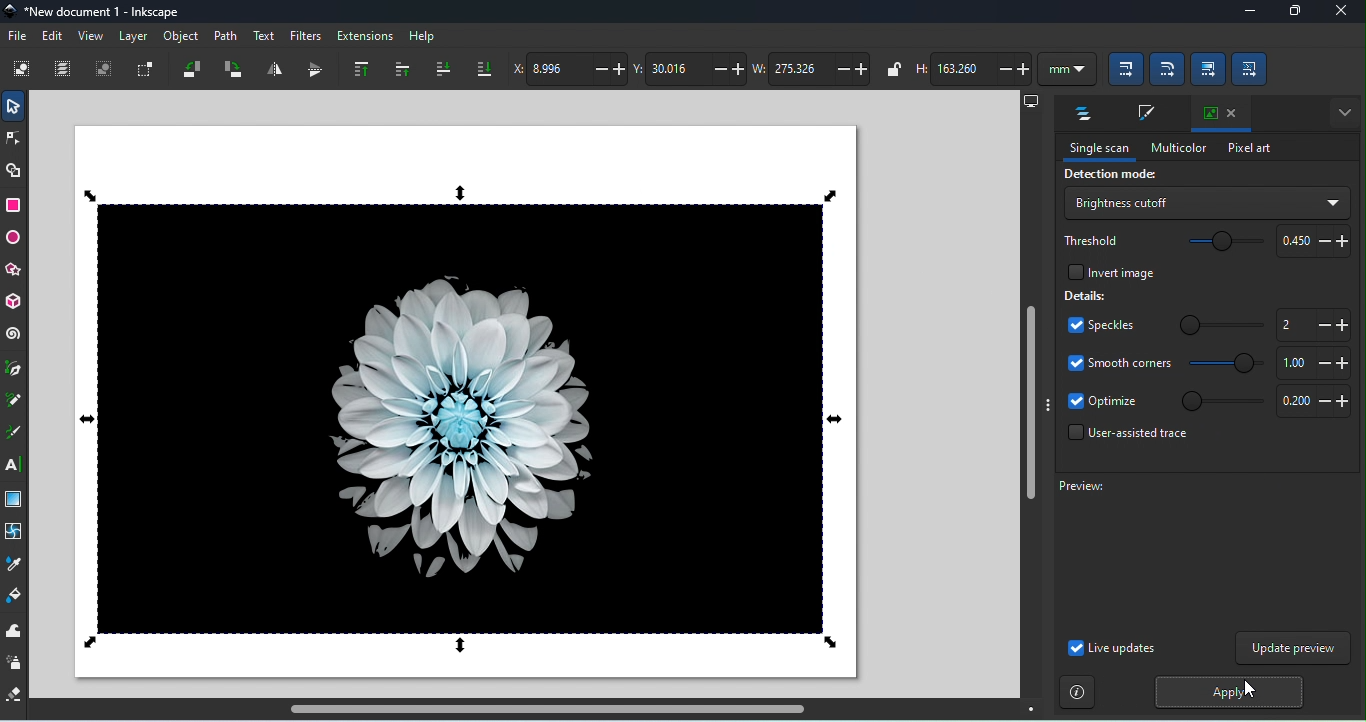 Image resolution: width=1366 pixels, height=722 pixels. I want to click on Lower selection to bottom, so click(484, 66).